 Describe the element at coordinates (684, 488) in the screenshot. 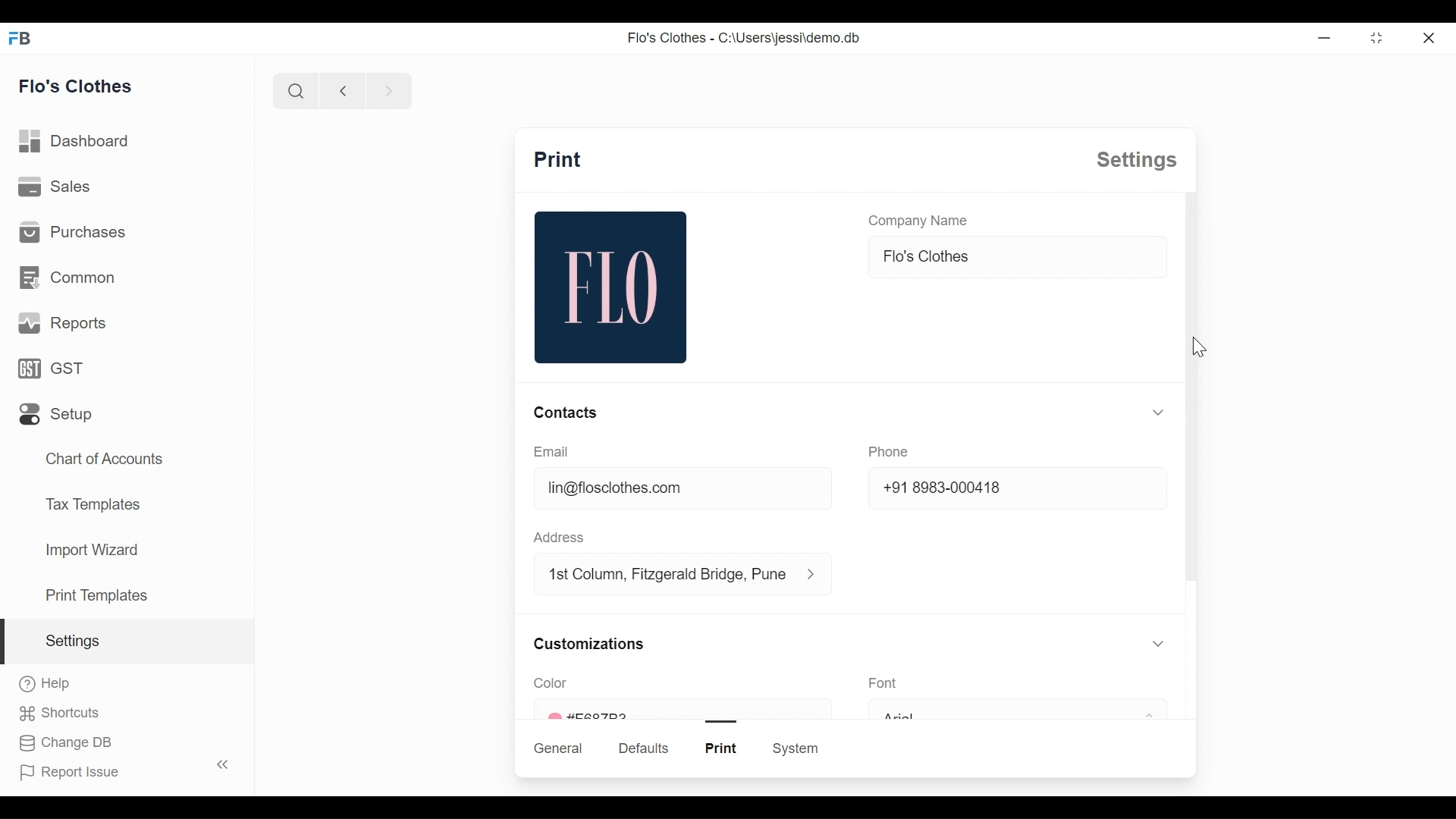

I see `lin@floclothes.com` at that location.